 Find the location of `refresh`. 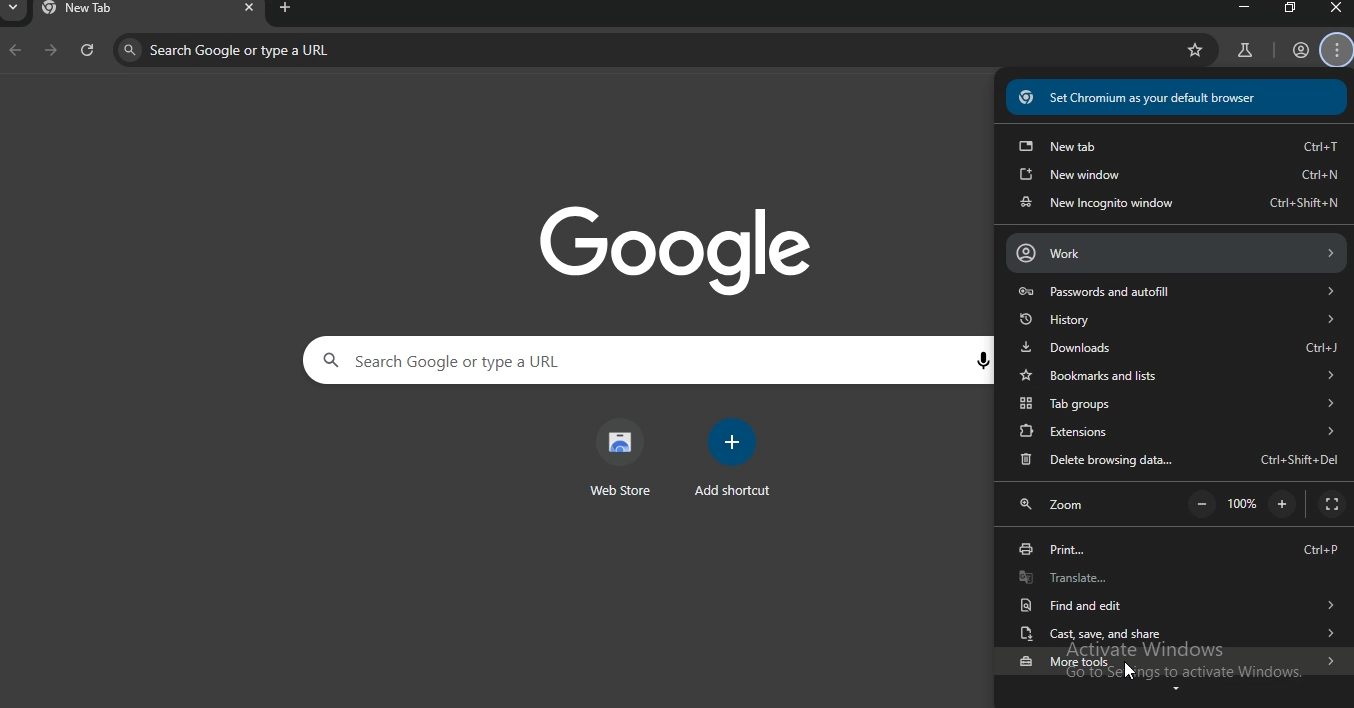

refresh is located at coordinates (86, 53).